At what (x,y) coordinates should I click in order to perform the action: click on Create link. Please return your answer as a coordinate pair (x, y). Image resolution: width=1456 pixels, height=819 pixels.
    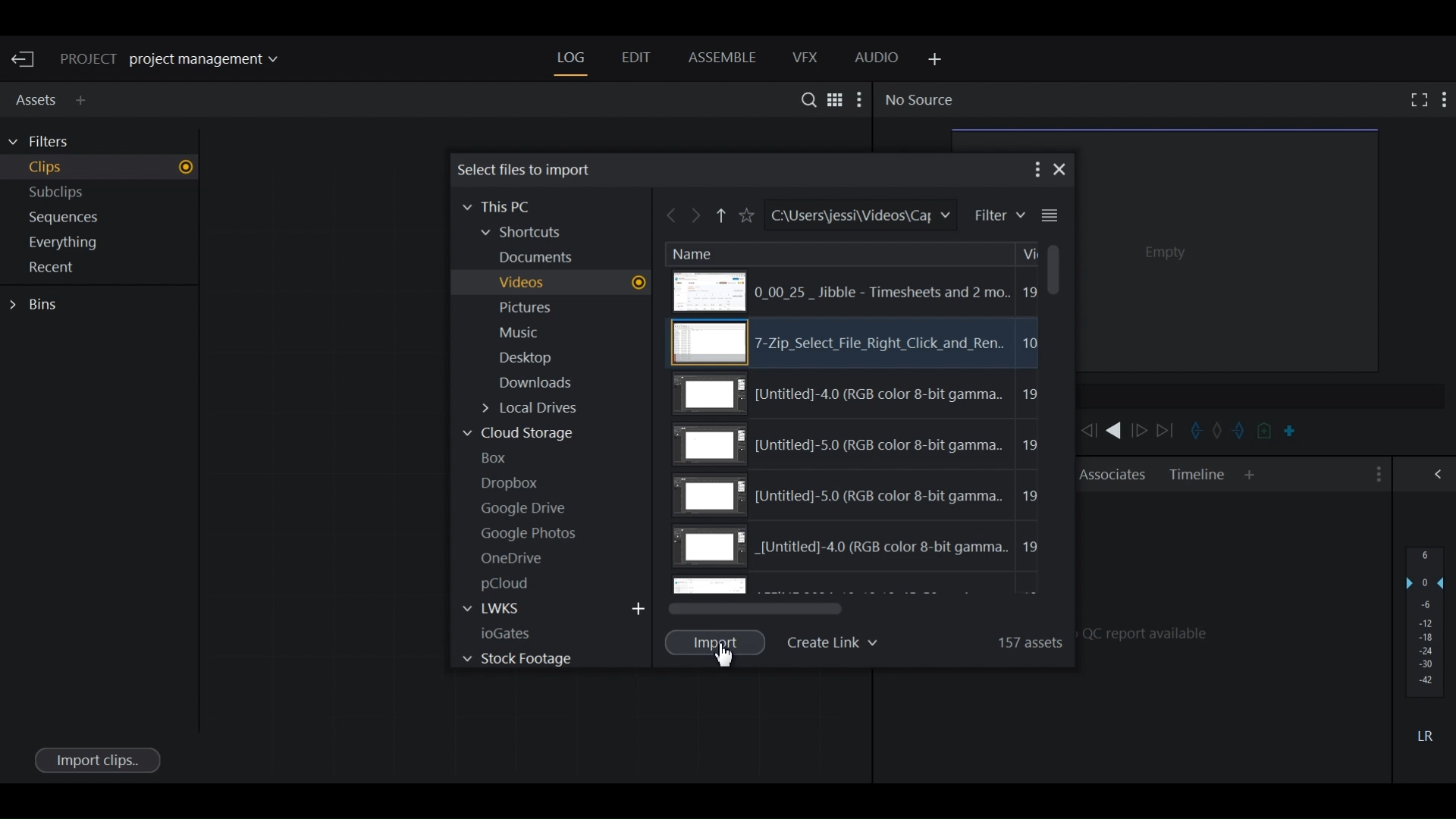
    Looking at the image, I should click on (836, 640).